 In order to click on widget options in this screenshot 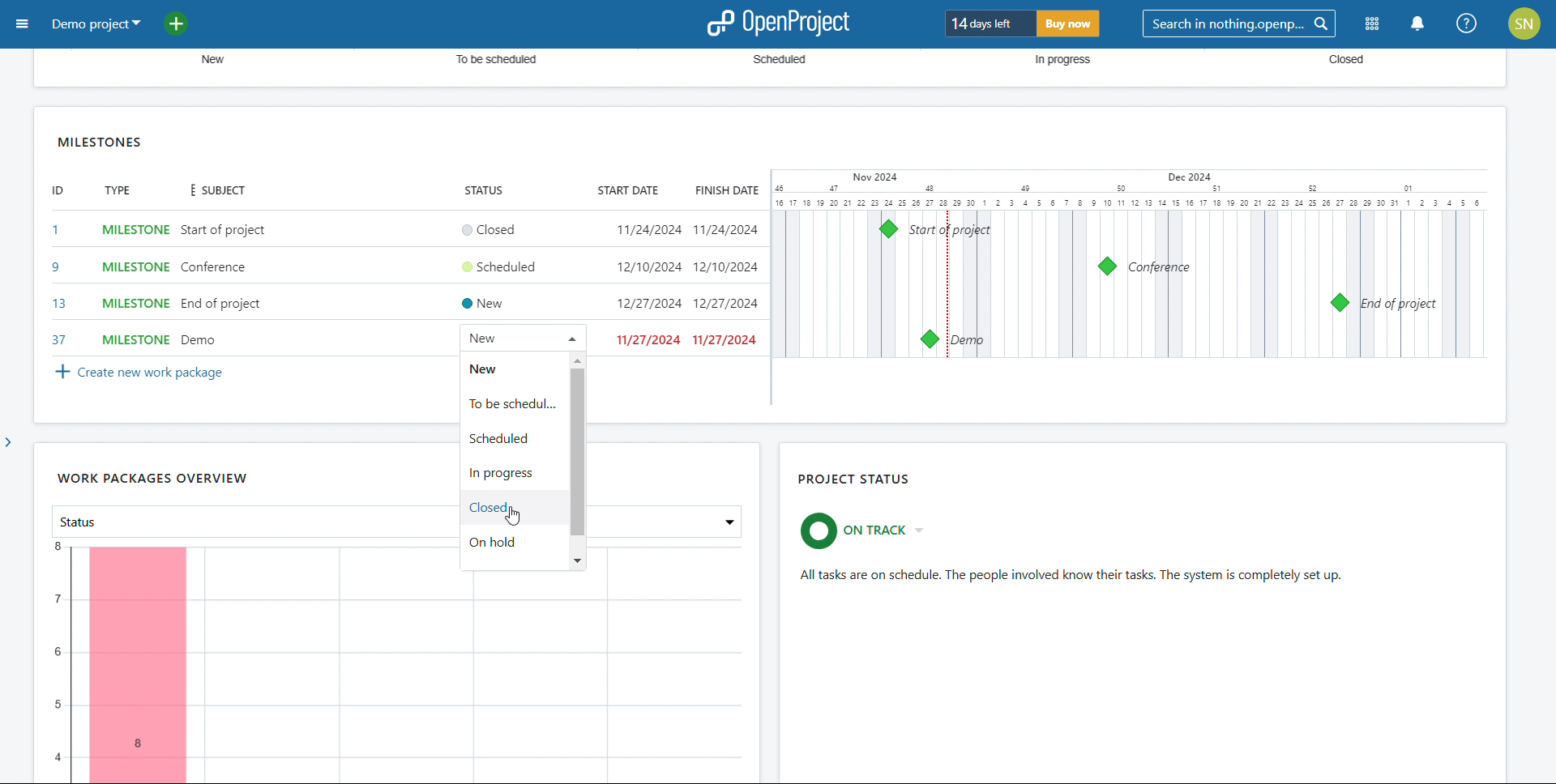, I will do `click(1476, 140)`.